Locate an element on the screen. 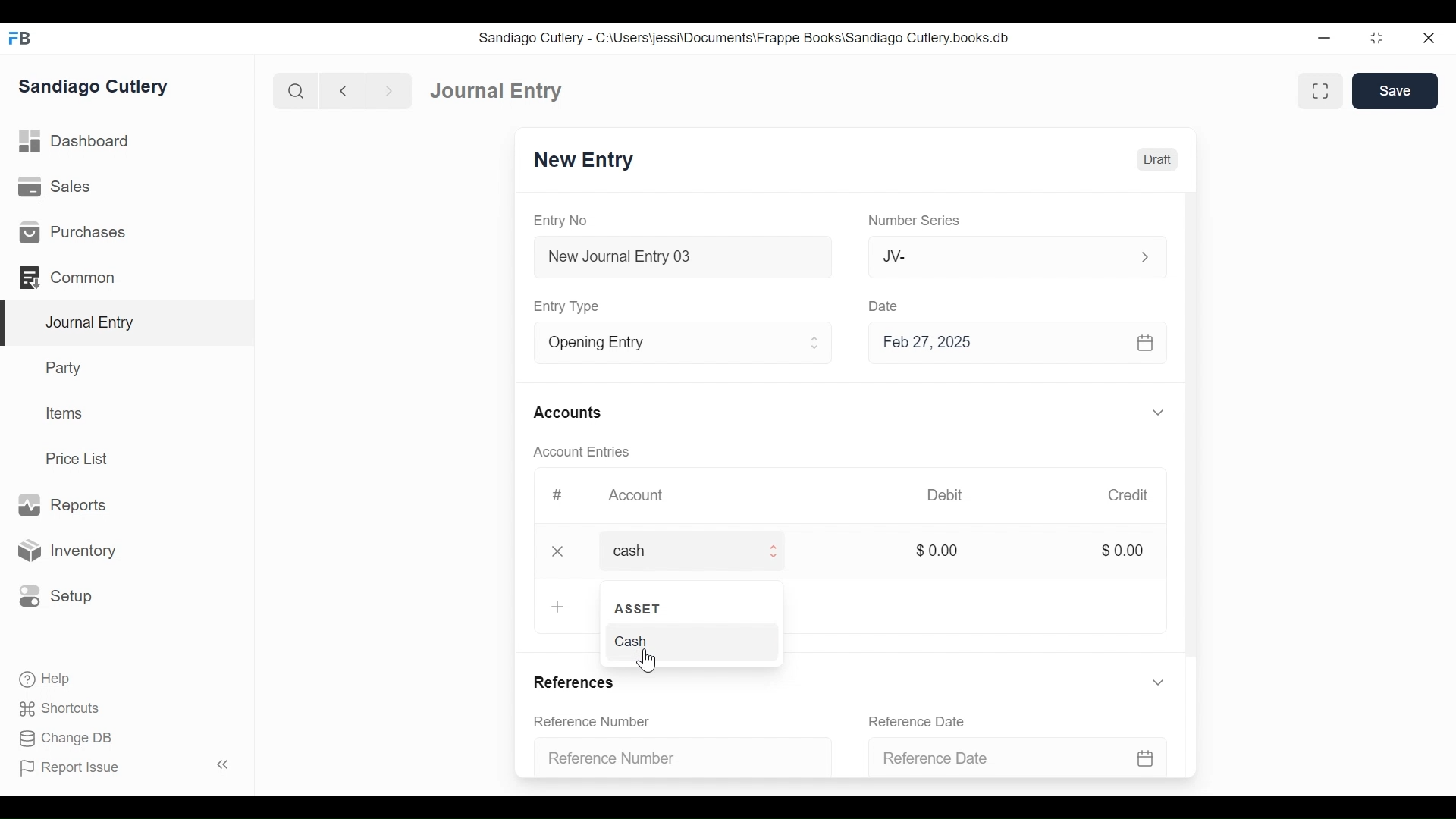 This screenshot has width=1456, height=819. $0.00 is located at coordinates (1122, 550).